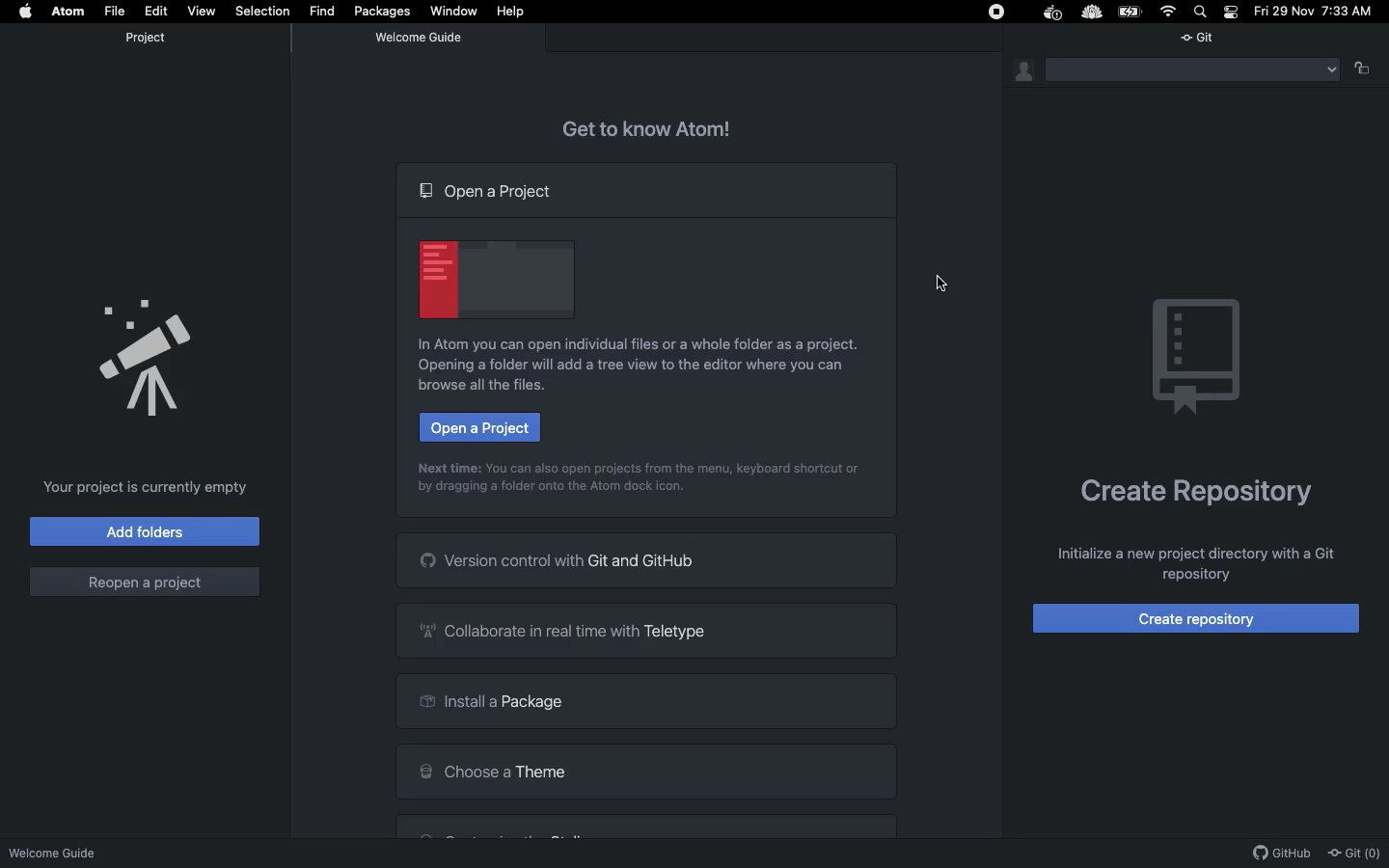 The width and height of the screenshot is (1389, 868). I want to click on Menu, so click(1196, 69).